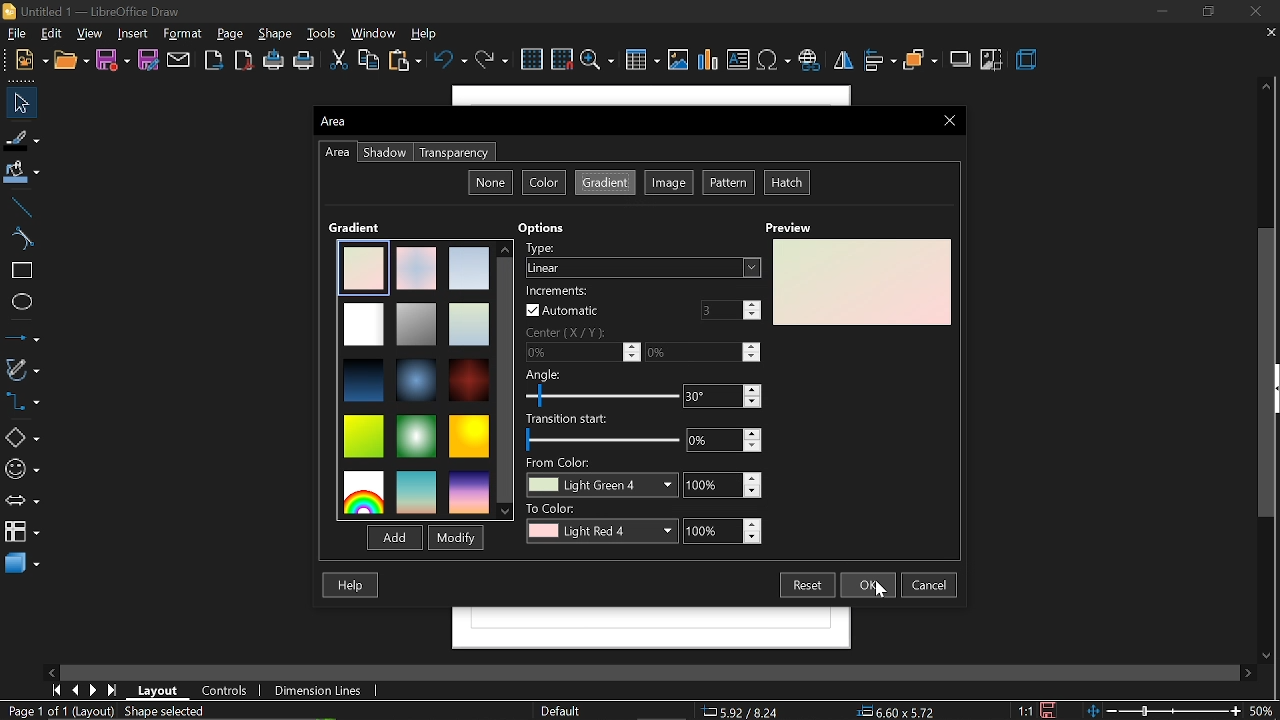  I want to click on arrange, so click(920, 61).